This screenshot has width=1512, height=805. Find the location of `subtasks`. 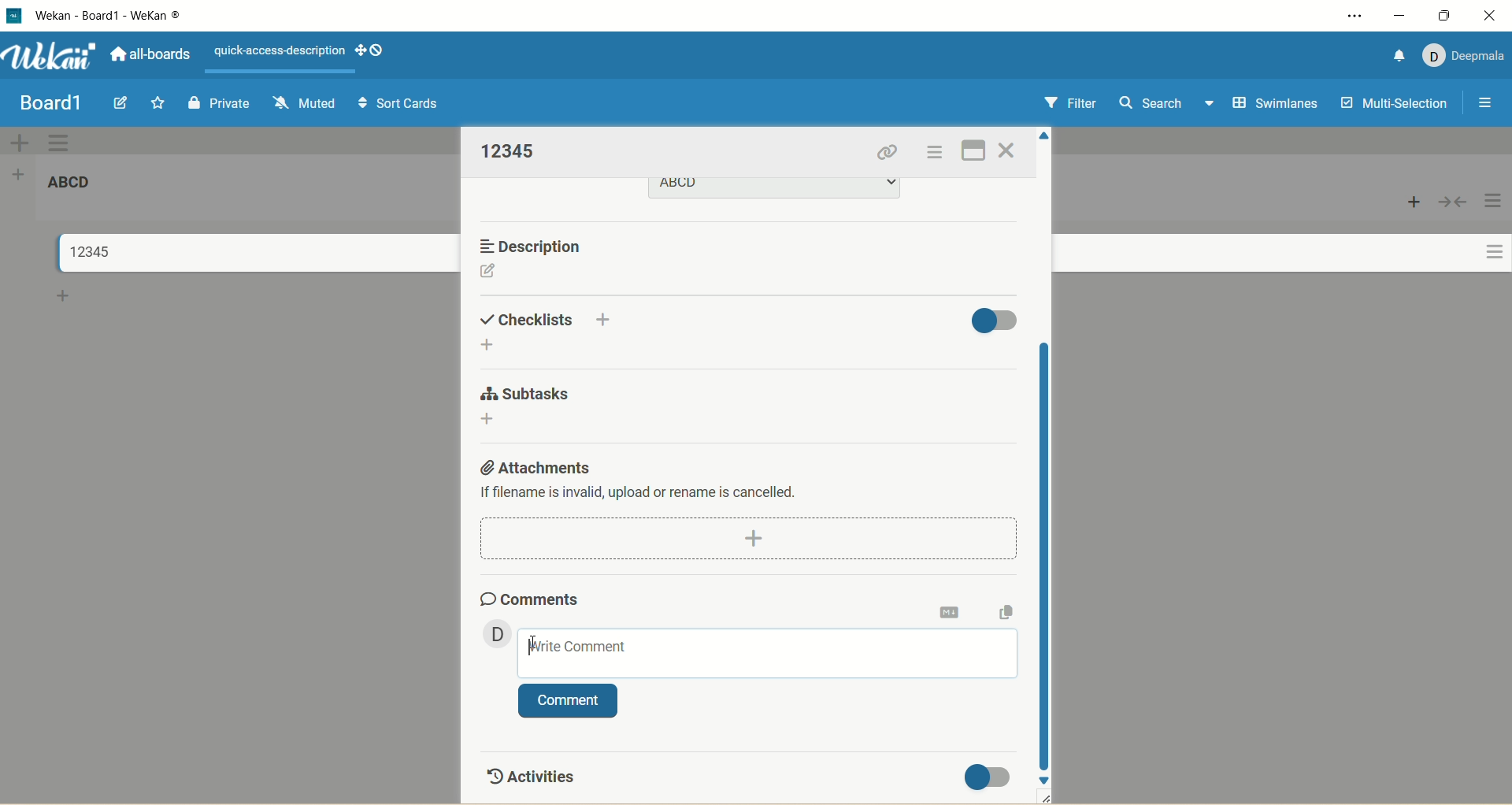

subtasks is located at coordinates (523, 394).